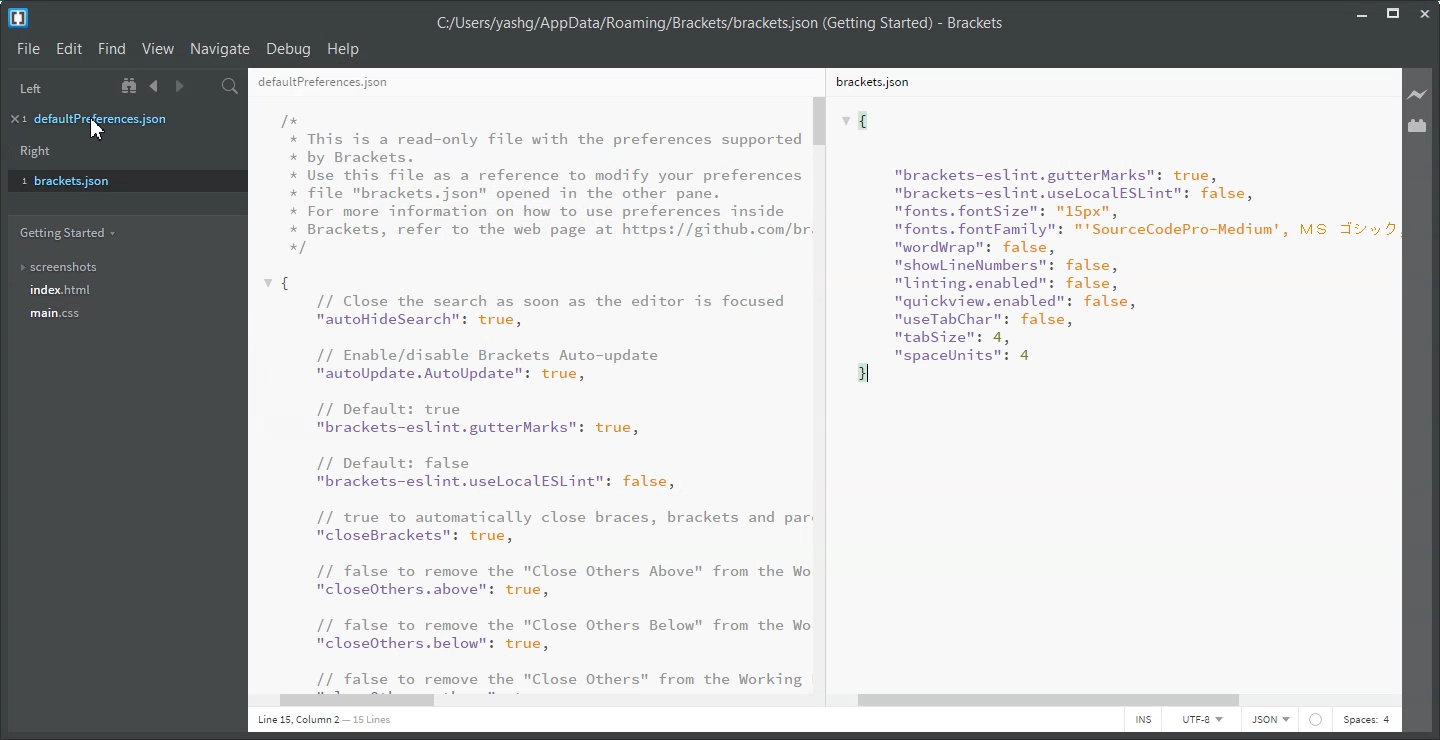 This screenshot has height=740, width=1440. What do you see at coordinates (70, 49) in the screenshot?
I see `Edit` at bounding box center [70, 49].